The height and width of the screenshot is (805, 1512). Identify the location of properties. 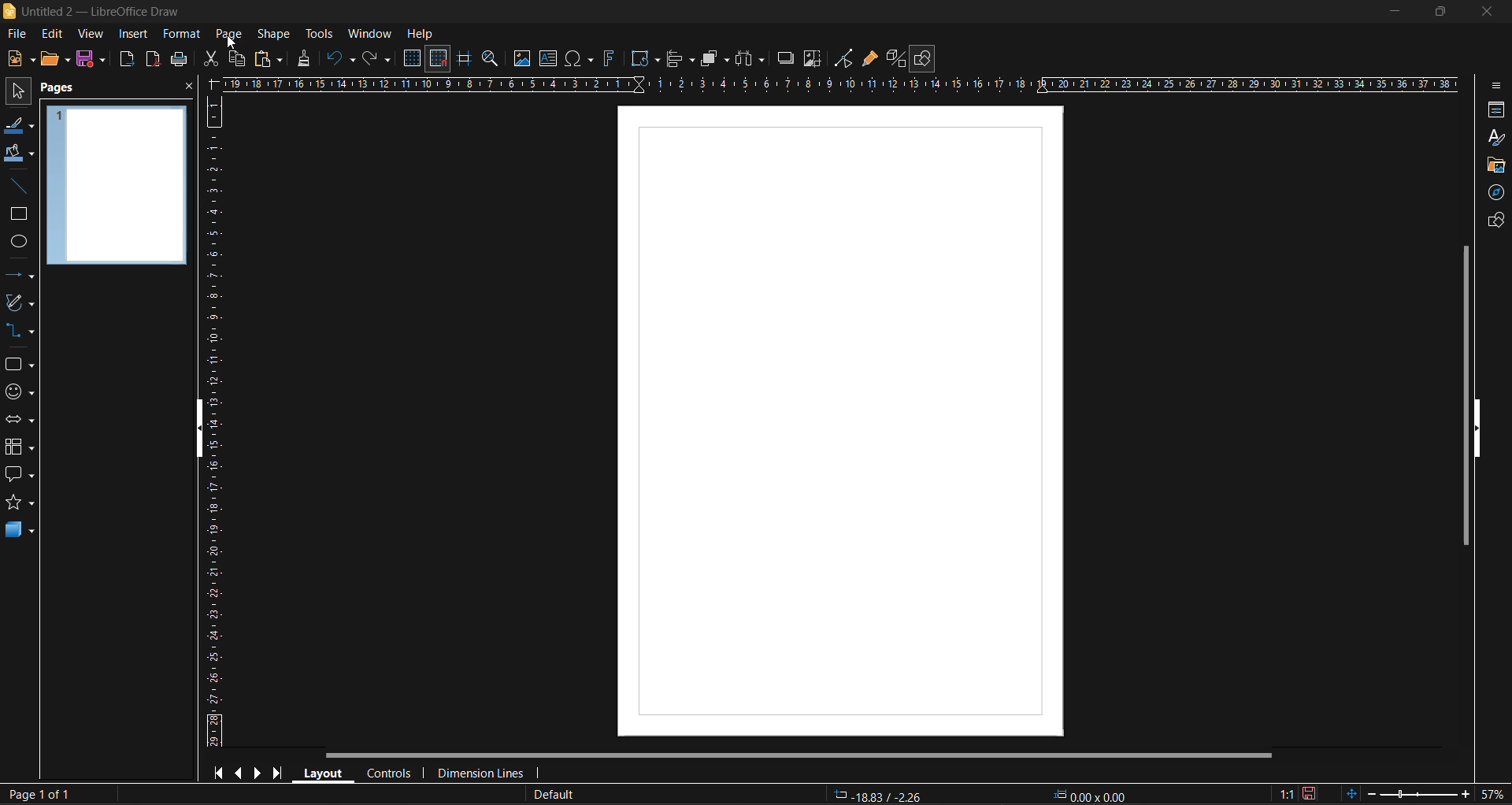
(1495, 109).